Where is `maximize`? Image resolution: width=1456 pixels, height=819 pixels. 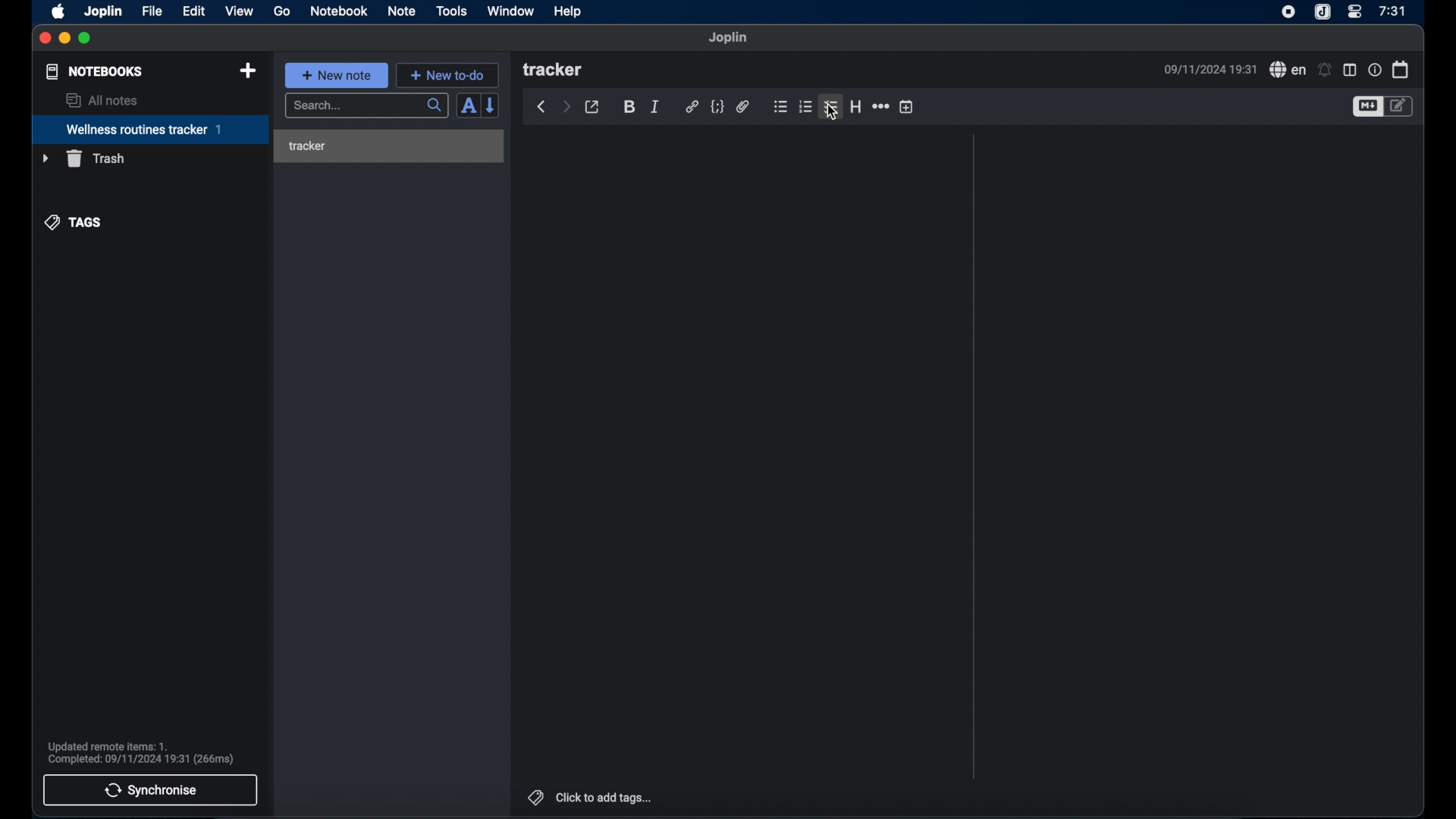
maximize is located at coordinates (86, 39).